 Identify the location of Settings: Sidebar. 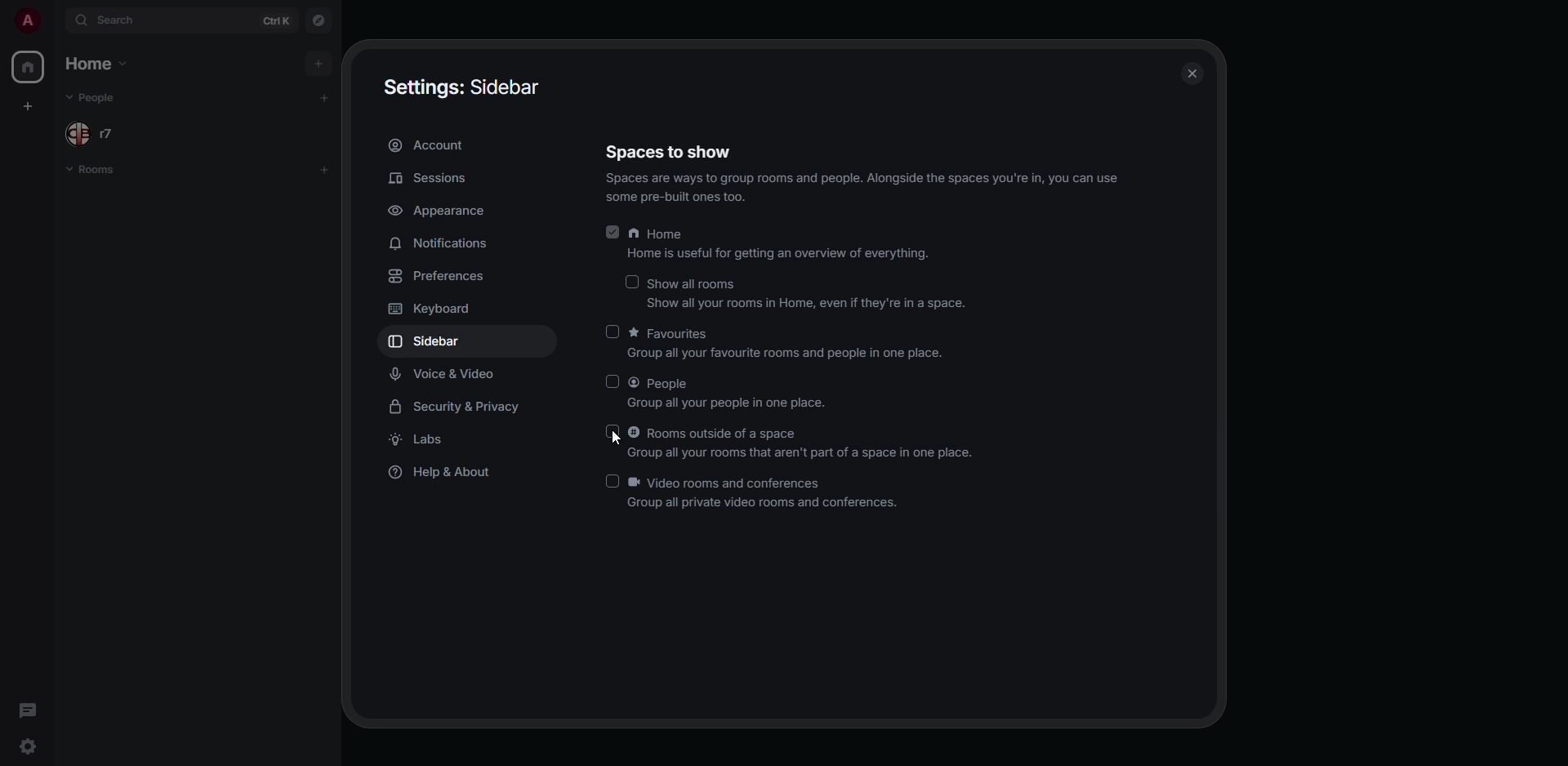
(464, 88).